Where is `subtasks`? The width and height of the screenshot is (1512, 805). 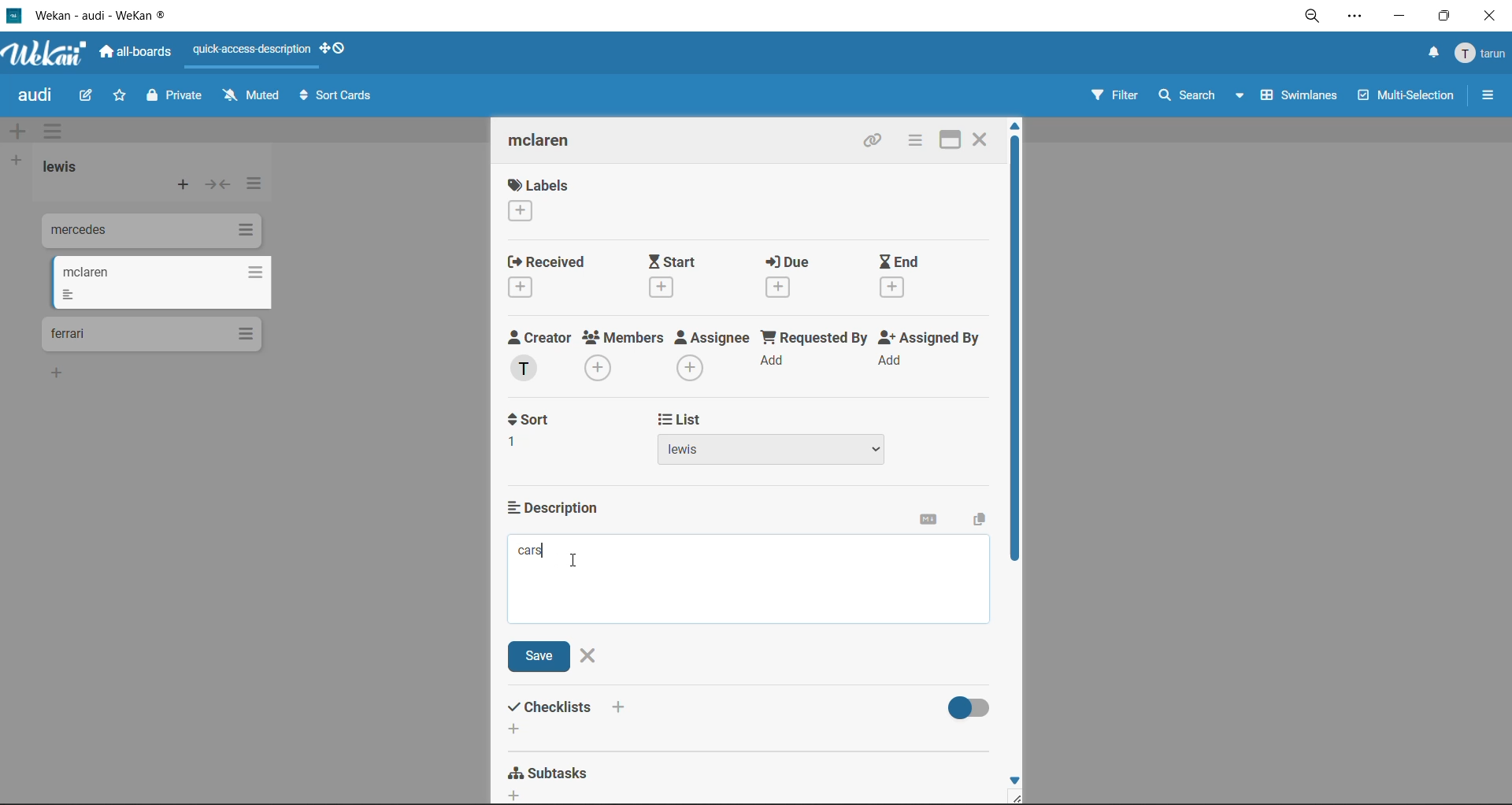
subtasks is located at coordinates (555, 779).